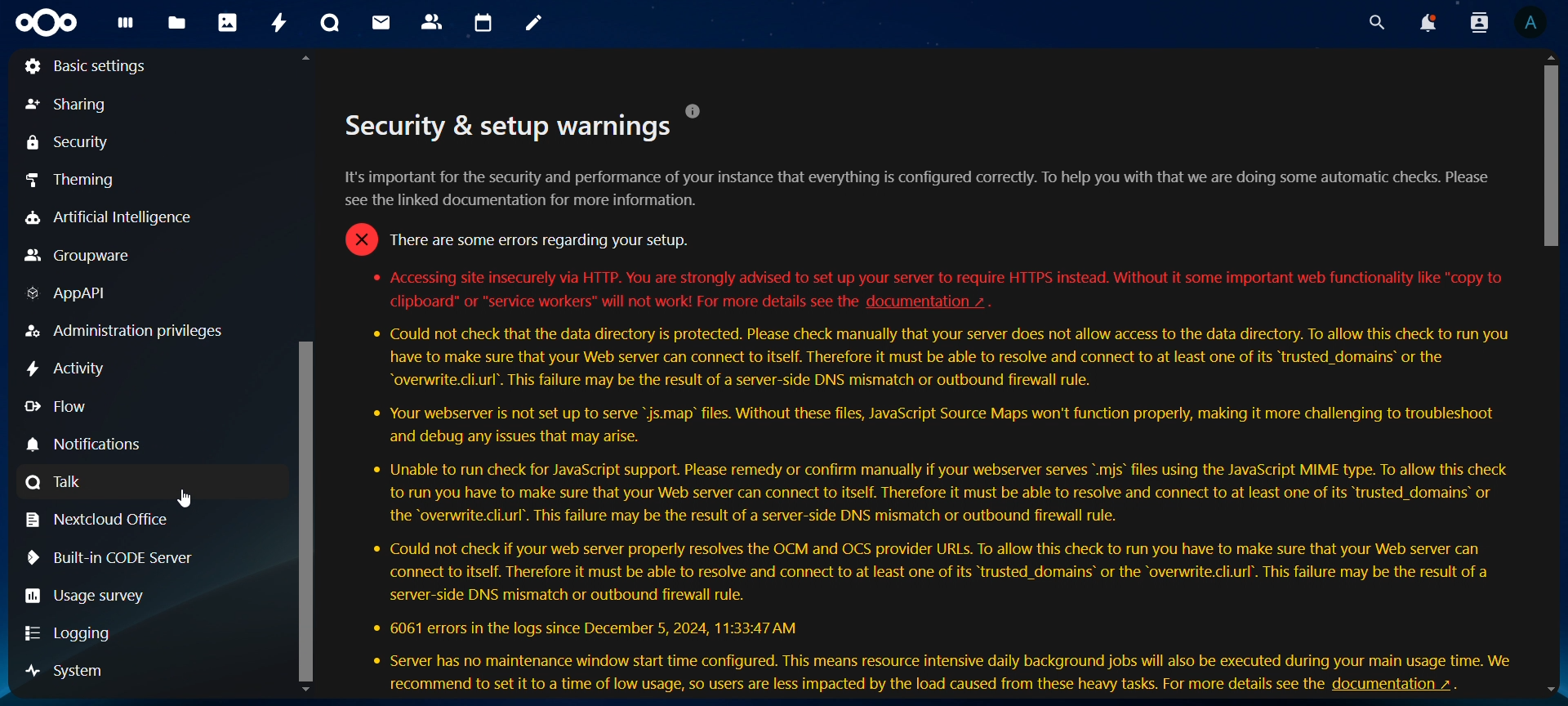 This screenshot has width=1568, height=706. Describe the element at coordinates (934, 590) in the screenshot. I see `* Could not check if your web server properly resolves the OCM and OCS provider URLs. To allow this check to run you have to make sure that your Web server can
connect to itself. Therefore it must be able to resolve and connect to at least one of its “trusted_domains® or the “overwrite.cli.url’. This failure may be the result of a
server-side DNS mismatch or outbound firewall rule.

* 6061 errors in the logs since December 5, 2024, 11:33:47 AM` at that location.